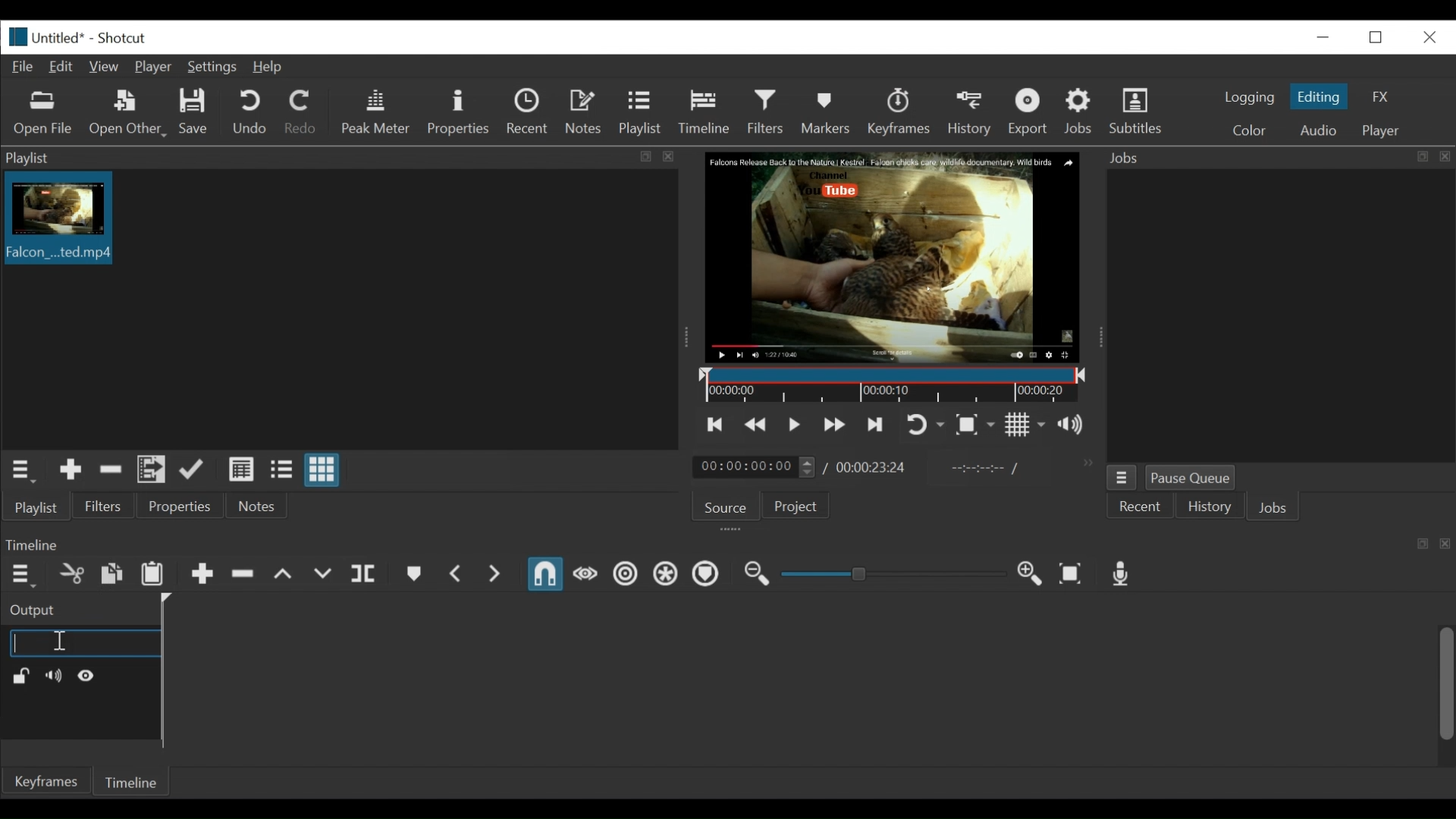 This screenshot has height=819, width=1456. I want to click on Shotxcut, so click(125, 38).